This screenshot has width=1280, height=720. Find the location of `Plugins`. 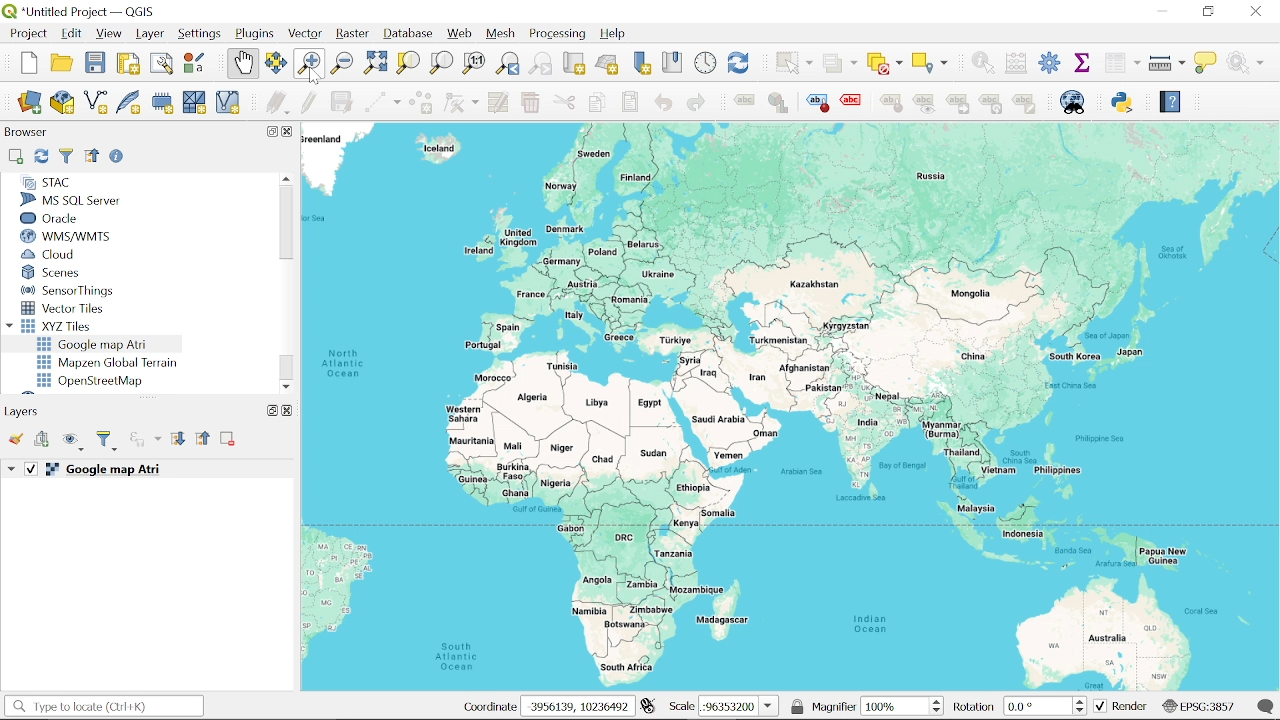

Plugins is located at coordinates (256, 35).